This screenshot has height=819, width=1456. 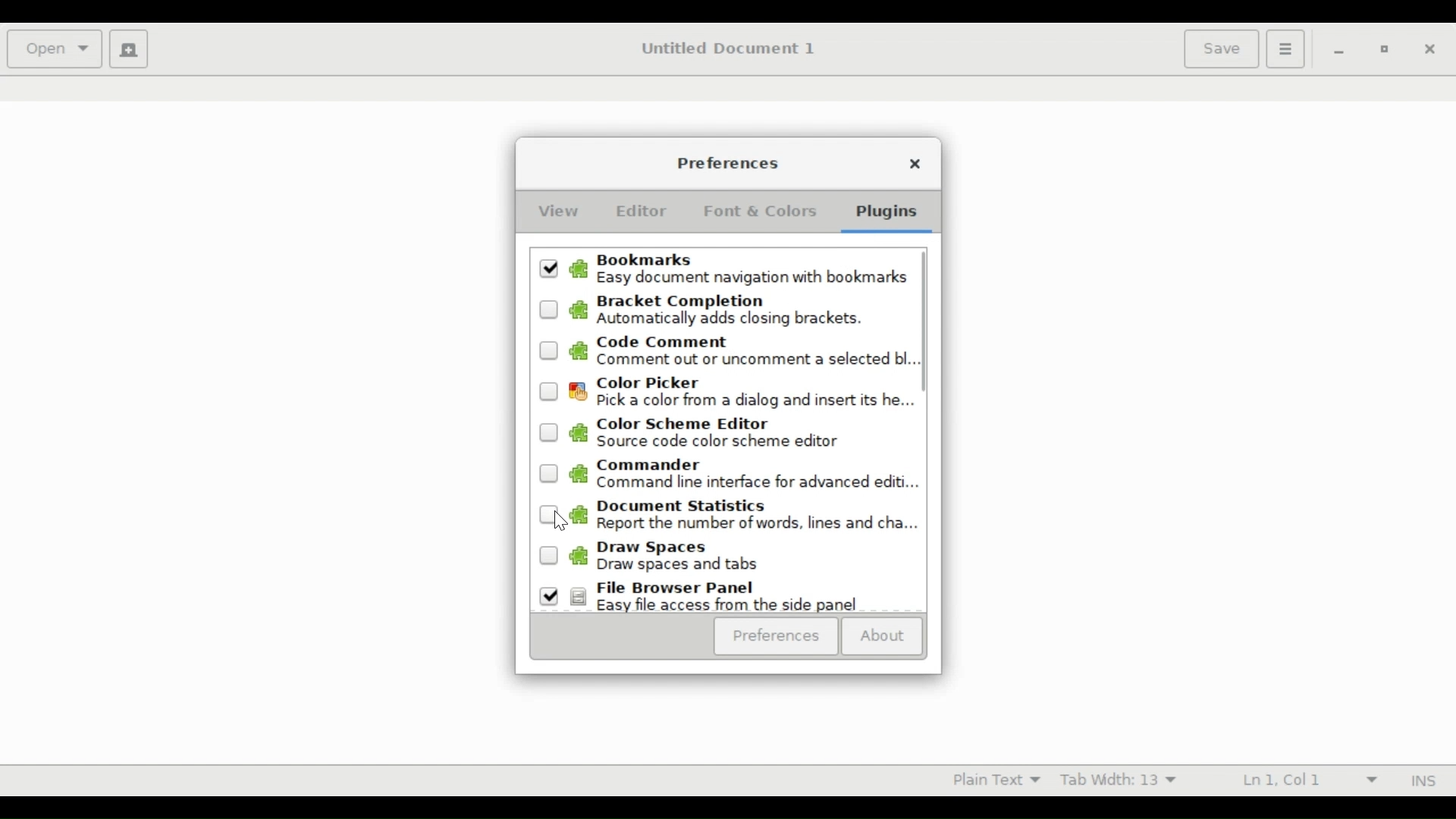 What do you see at coordinates (739, 598) in the screenshot?
I see `(un)select File Browser Panel. Easy file access from side panel` at bounding box center [739, 598].